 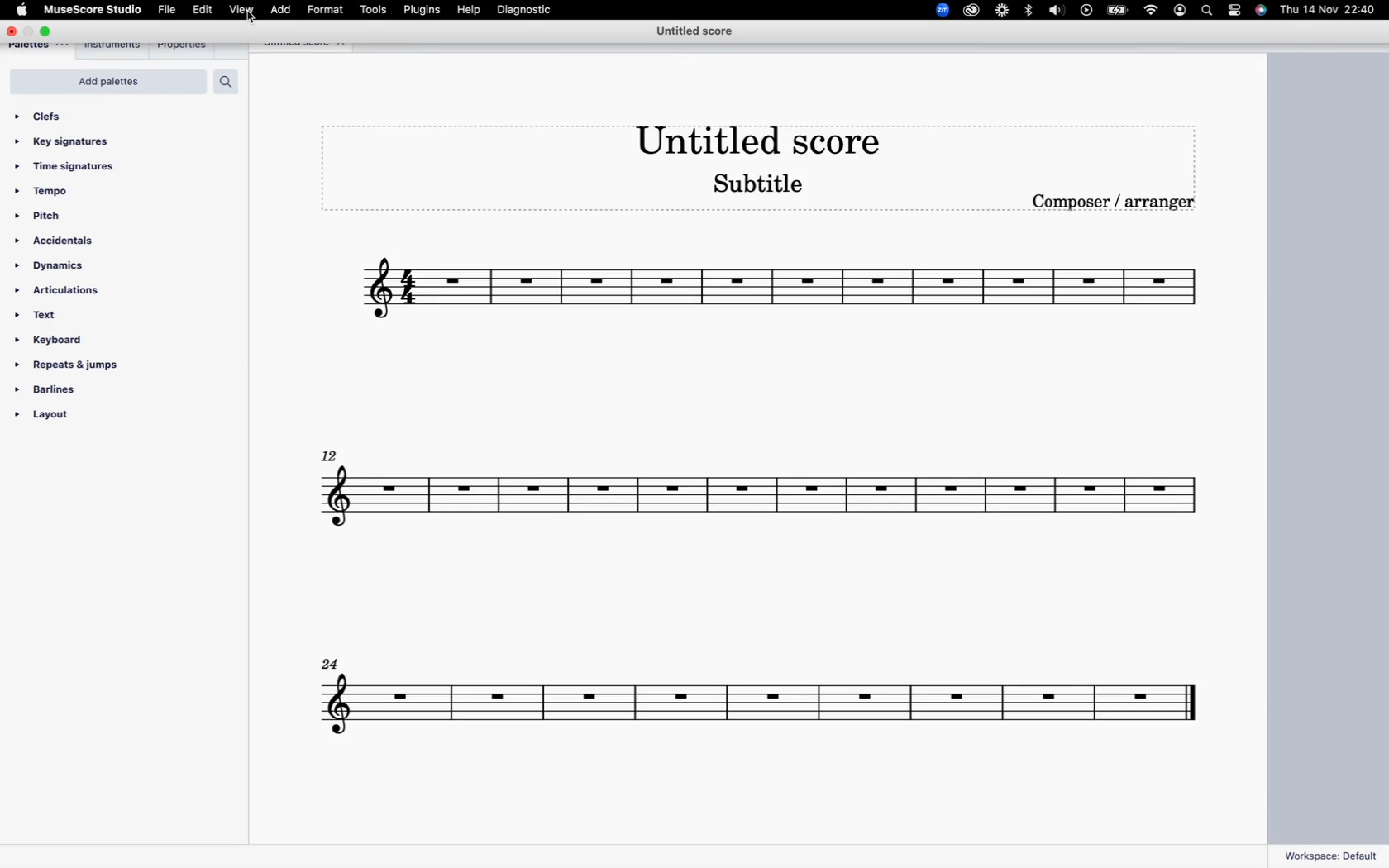 I want to click on score title, so click(x=290, y=45).